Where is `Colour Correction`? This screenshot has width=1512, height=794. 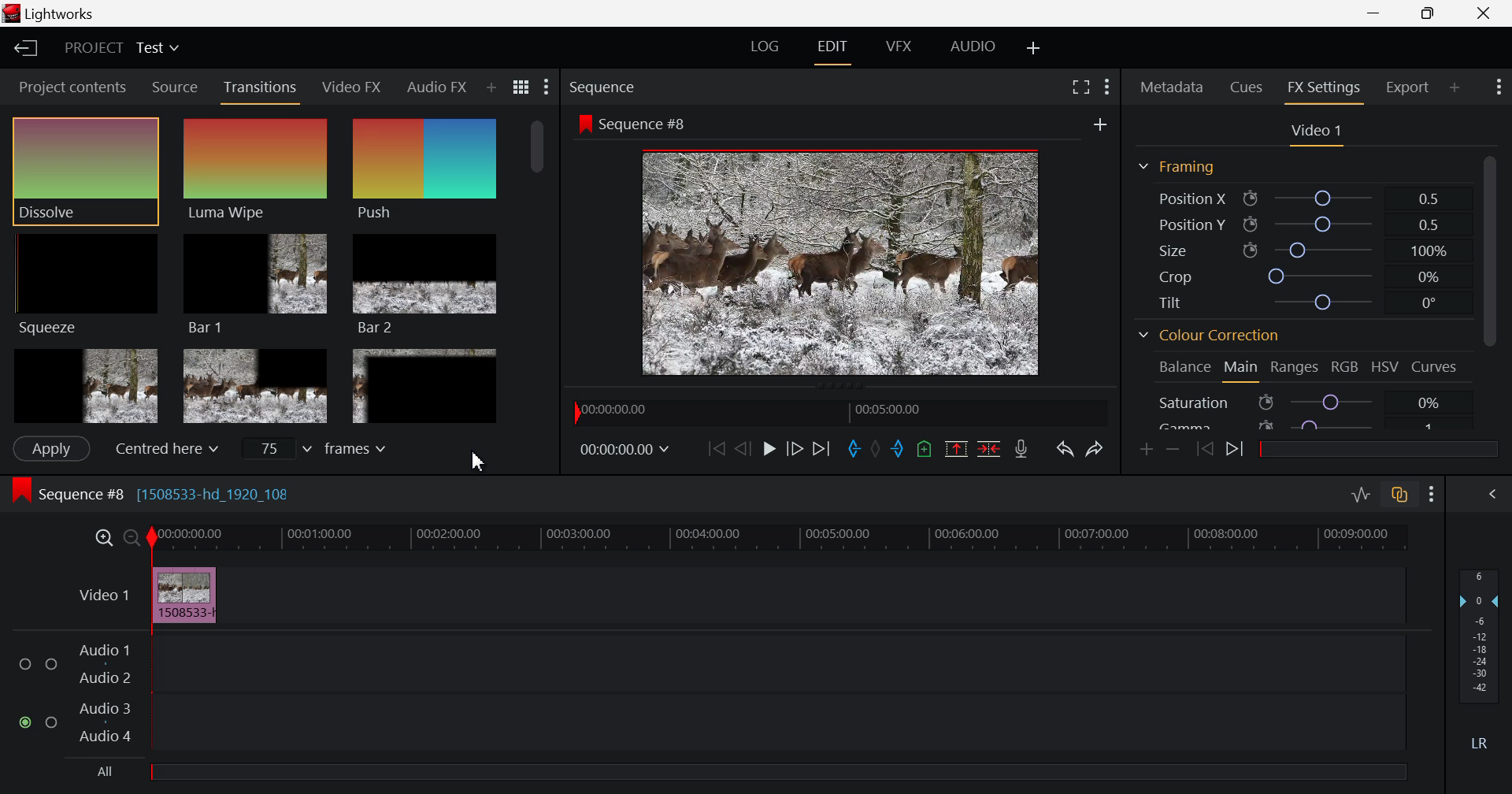 Colour Correction is located at coordinates (1213, 337).